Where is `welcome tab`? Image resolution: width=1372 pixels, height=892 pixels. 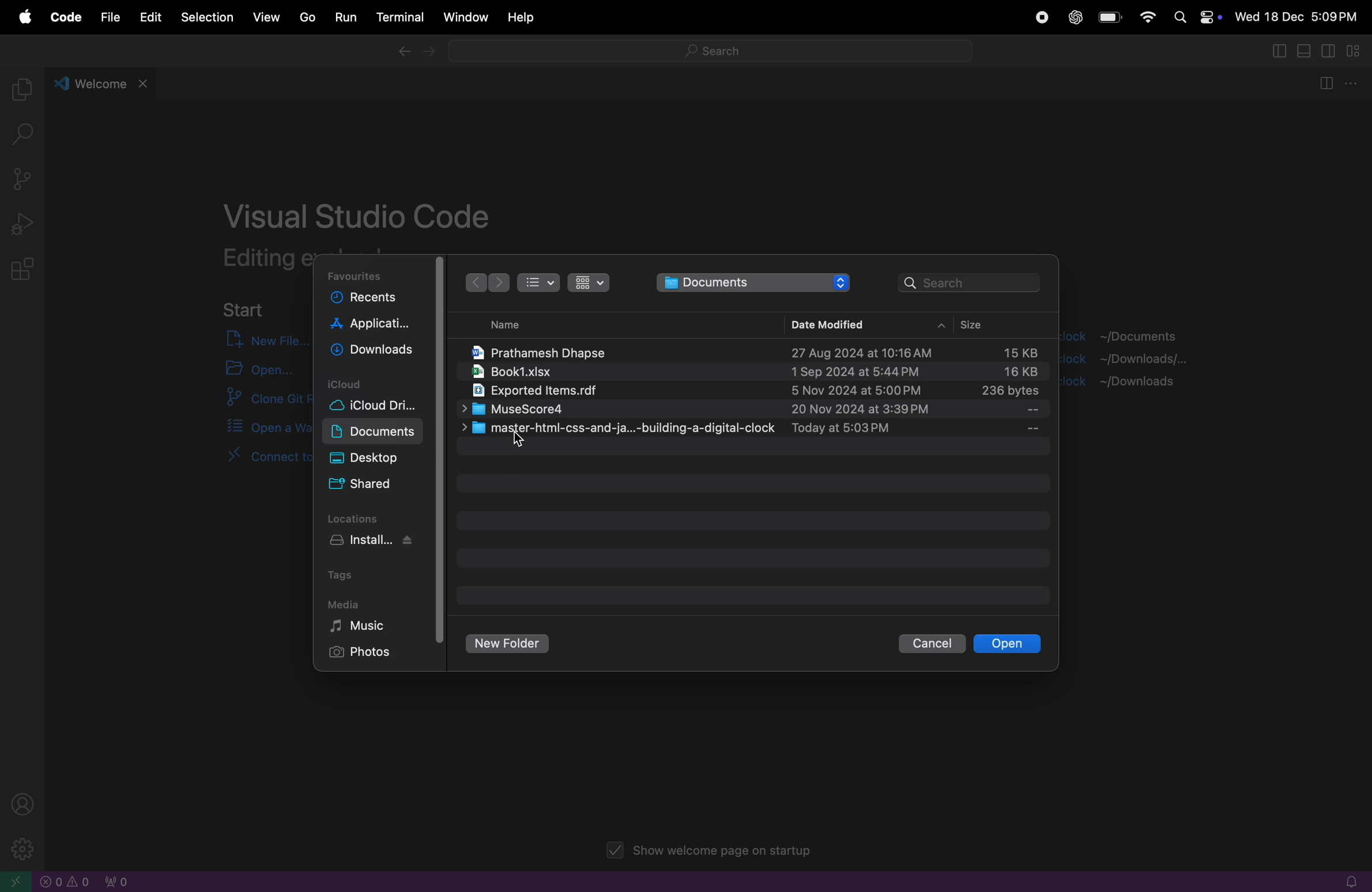 welcome tab is located at coordinates (103, 82).